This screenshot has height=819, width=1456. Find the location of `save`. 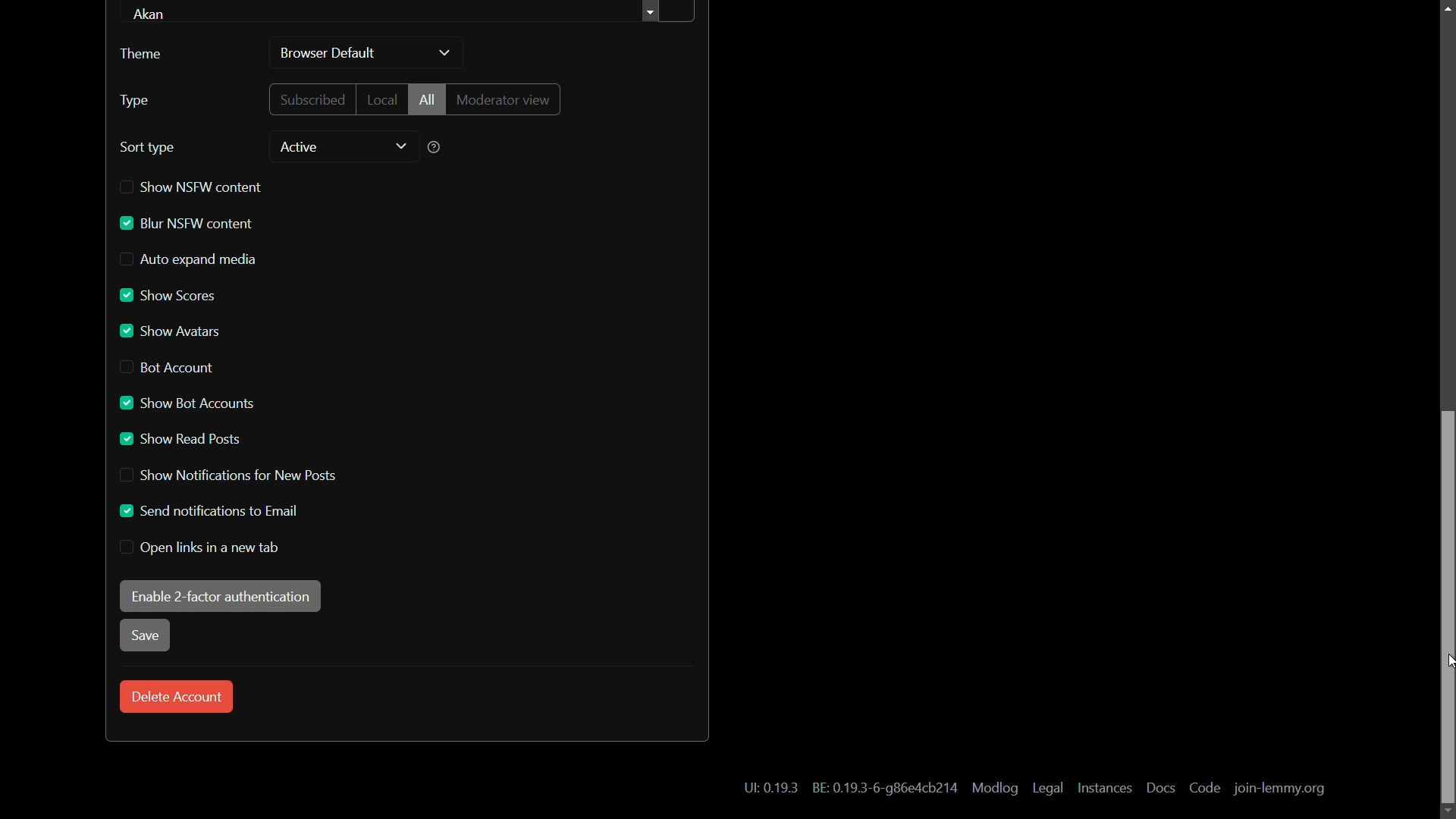

save is located at coordinates (143, 636).